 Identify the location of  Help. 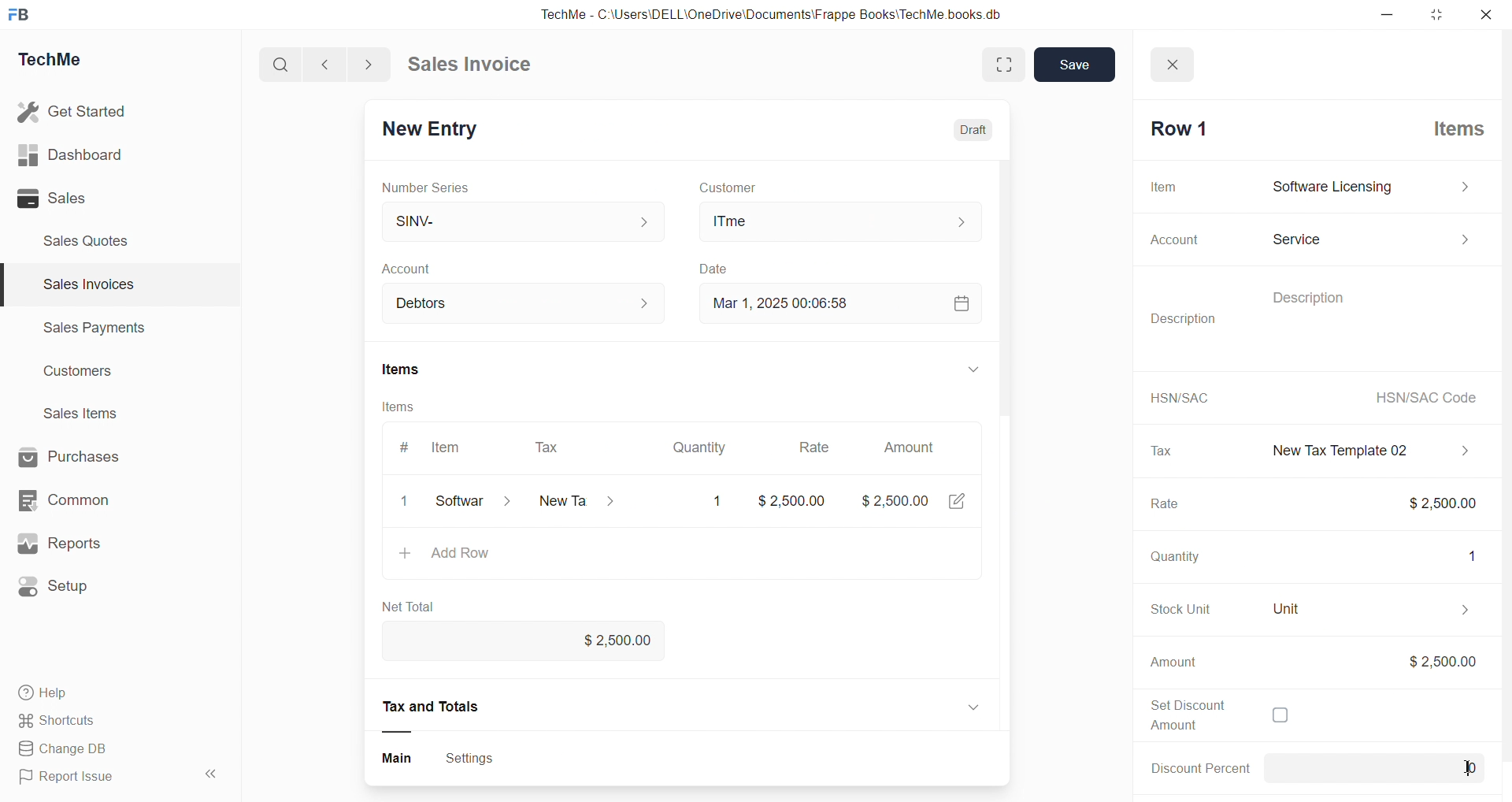
(51, 695).